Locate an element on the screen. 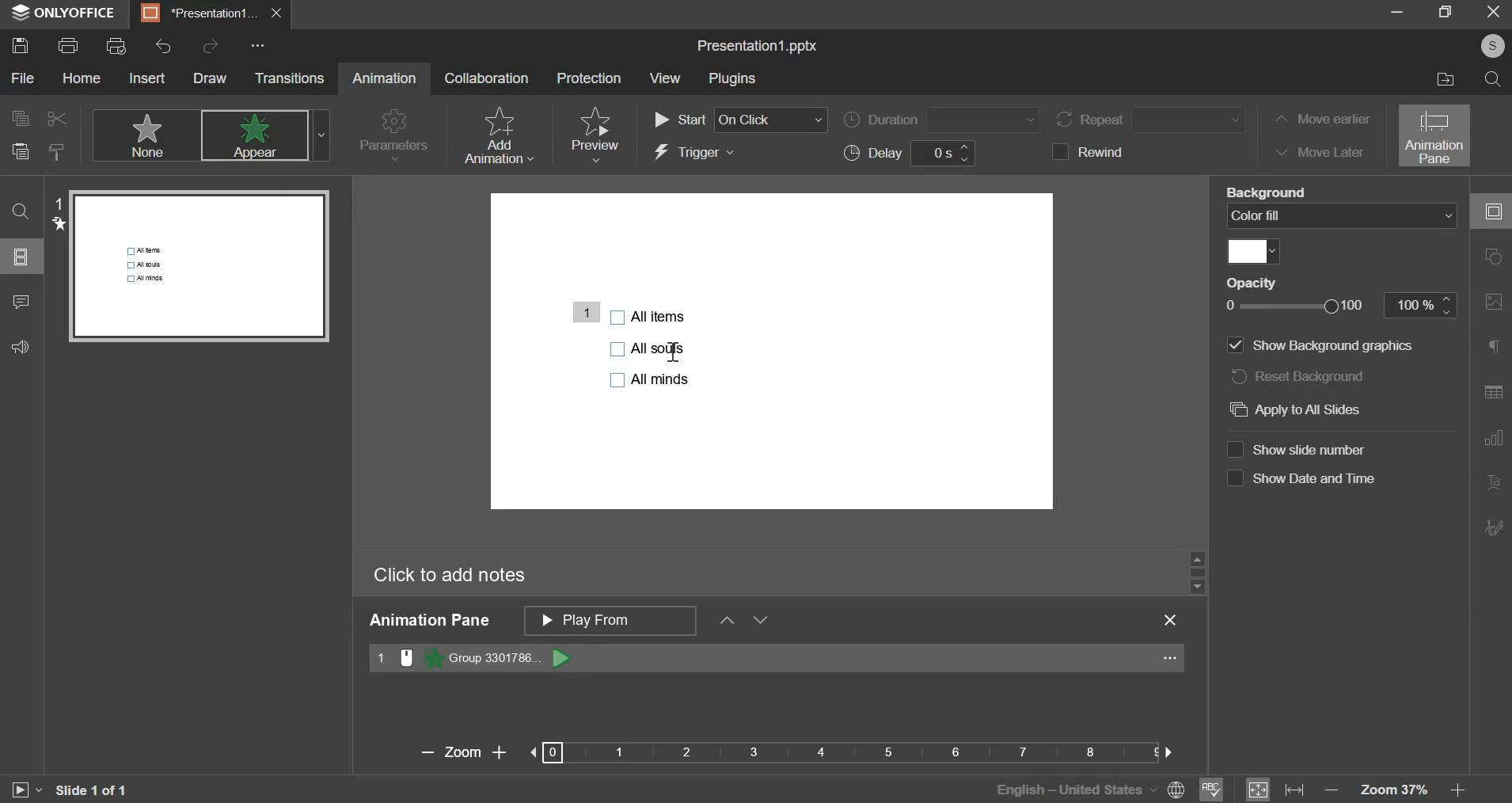 The image size is (1512, 803). file is located at coordinates (24, 78).